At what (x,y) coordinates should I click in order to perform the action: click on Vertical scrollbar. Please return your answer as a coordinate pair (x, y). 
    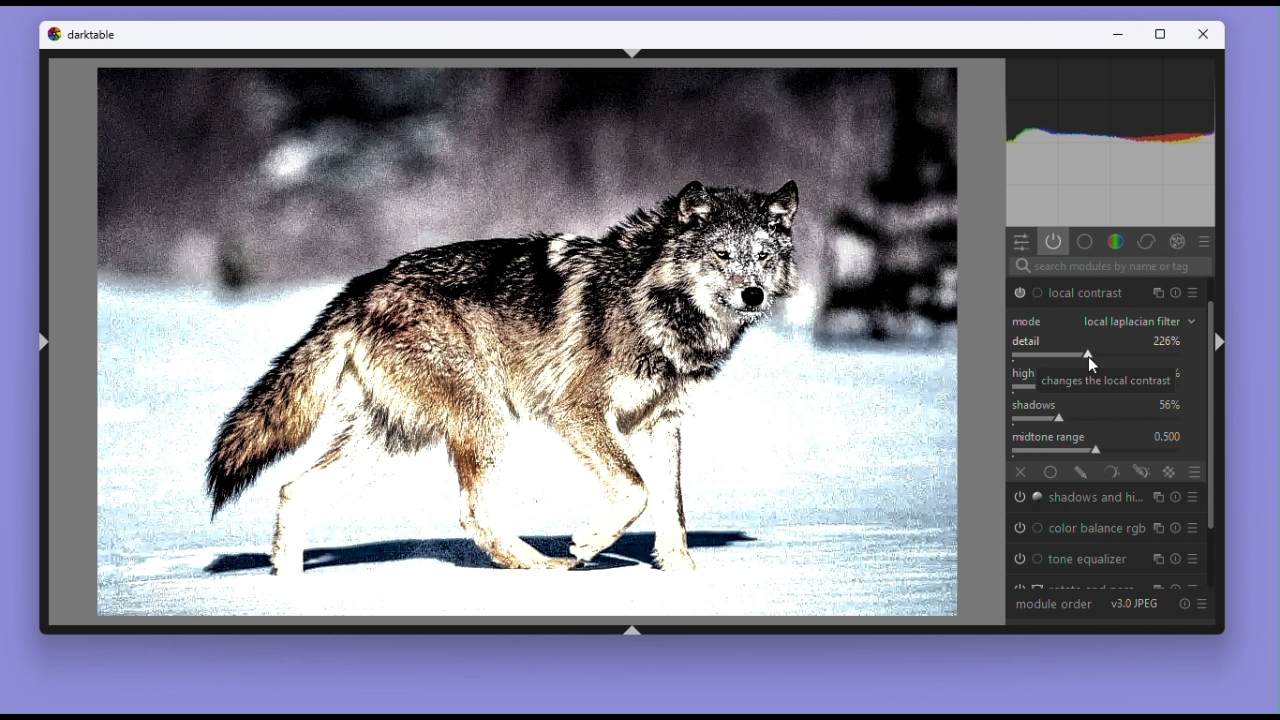
    Looking at the image, I should click on (1213, 432).